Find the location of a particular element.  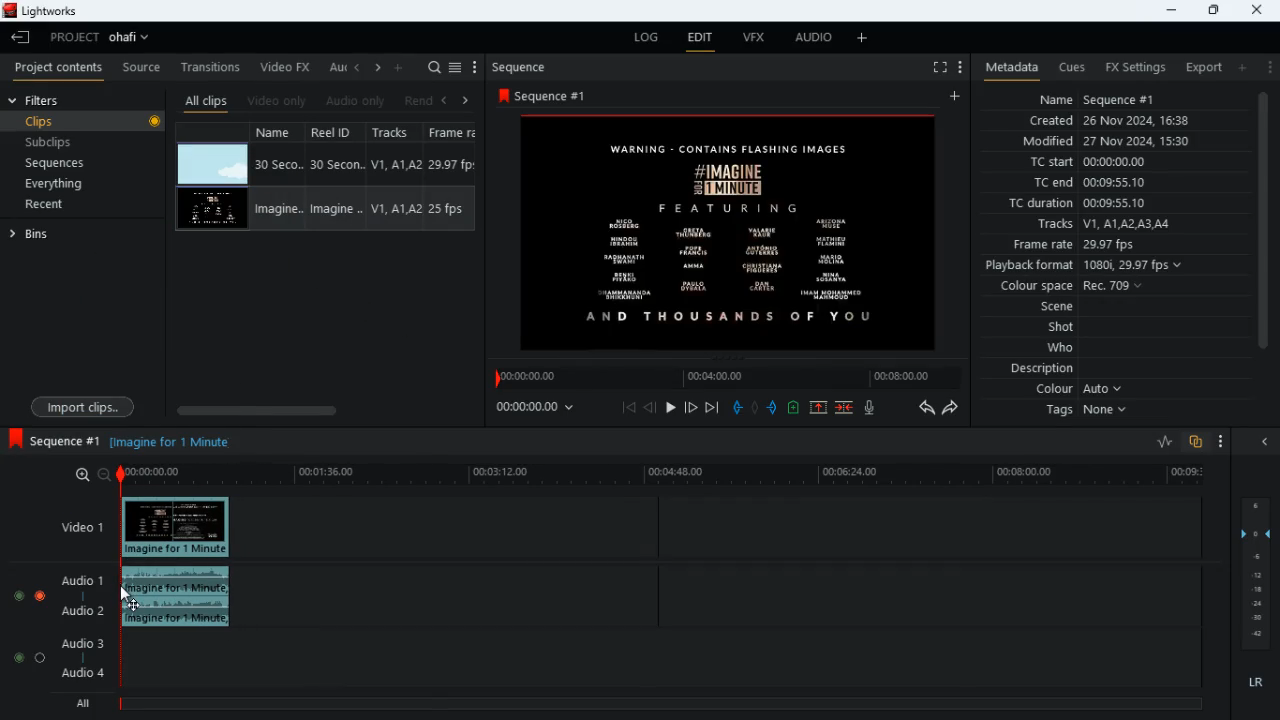

project contents is located at coordinates (59, 67).